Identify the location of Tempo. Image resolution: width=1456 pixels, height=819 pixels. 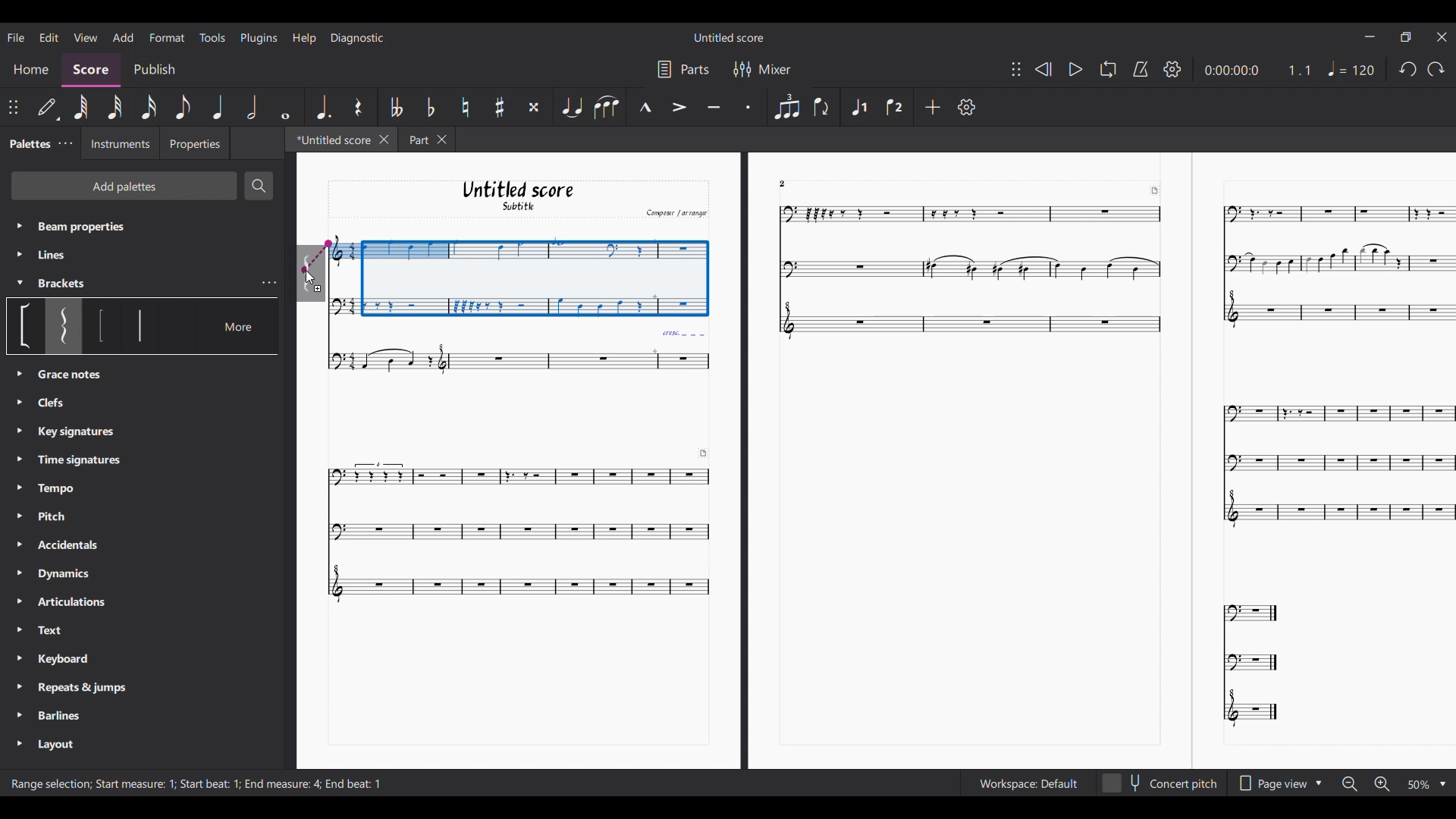
(1354, 68).